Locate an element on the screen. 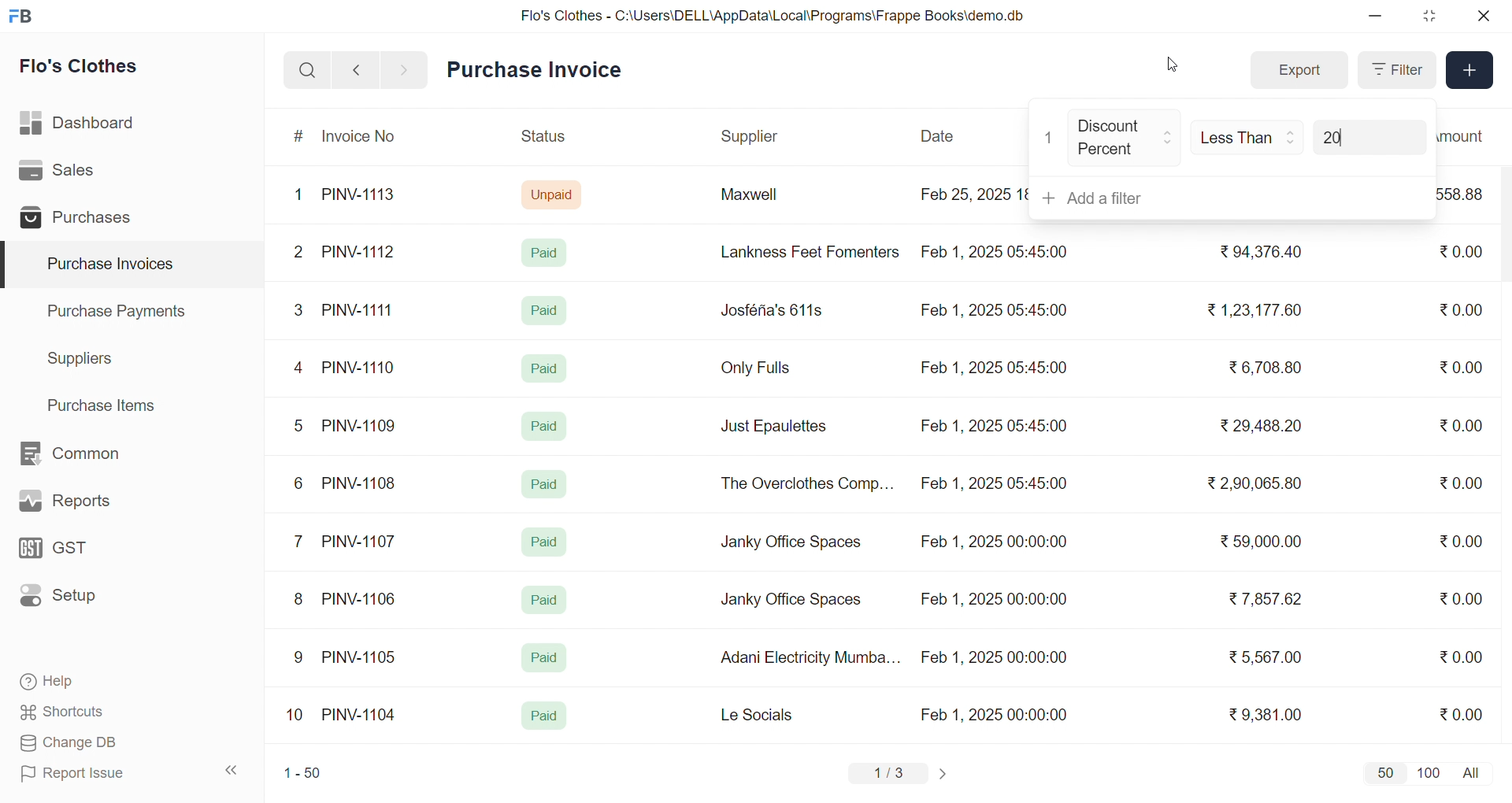  7 is located at coordinates (302, 540).